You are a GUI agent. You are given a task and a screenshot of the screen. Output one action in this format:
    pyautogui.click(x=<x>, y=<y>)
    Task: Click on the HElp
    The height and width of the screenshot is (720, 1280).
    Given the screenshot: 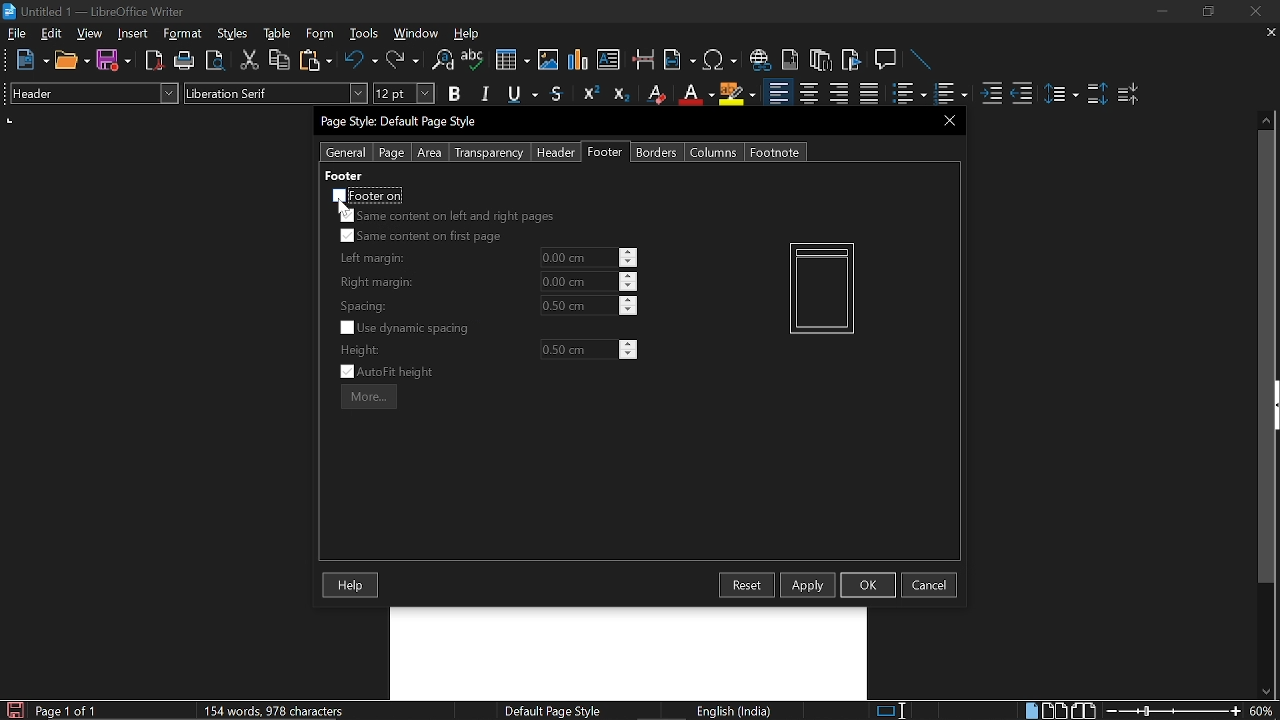 What is the action you would take?
    pyautogui.click(x=468, y=33)
    